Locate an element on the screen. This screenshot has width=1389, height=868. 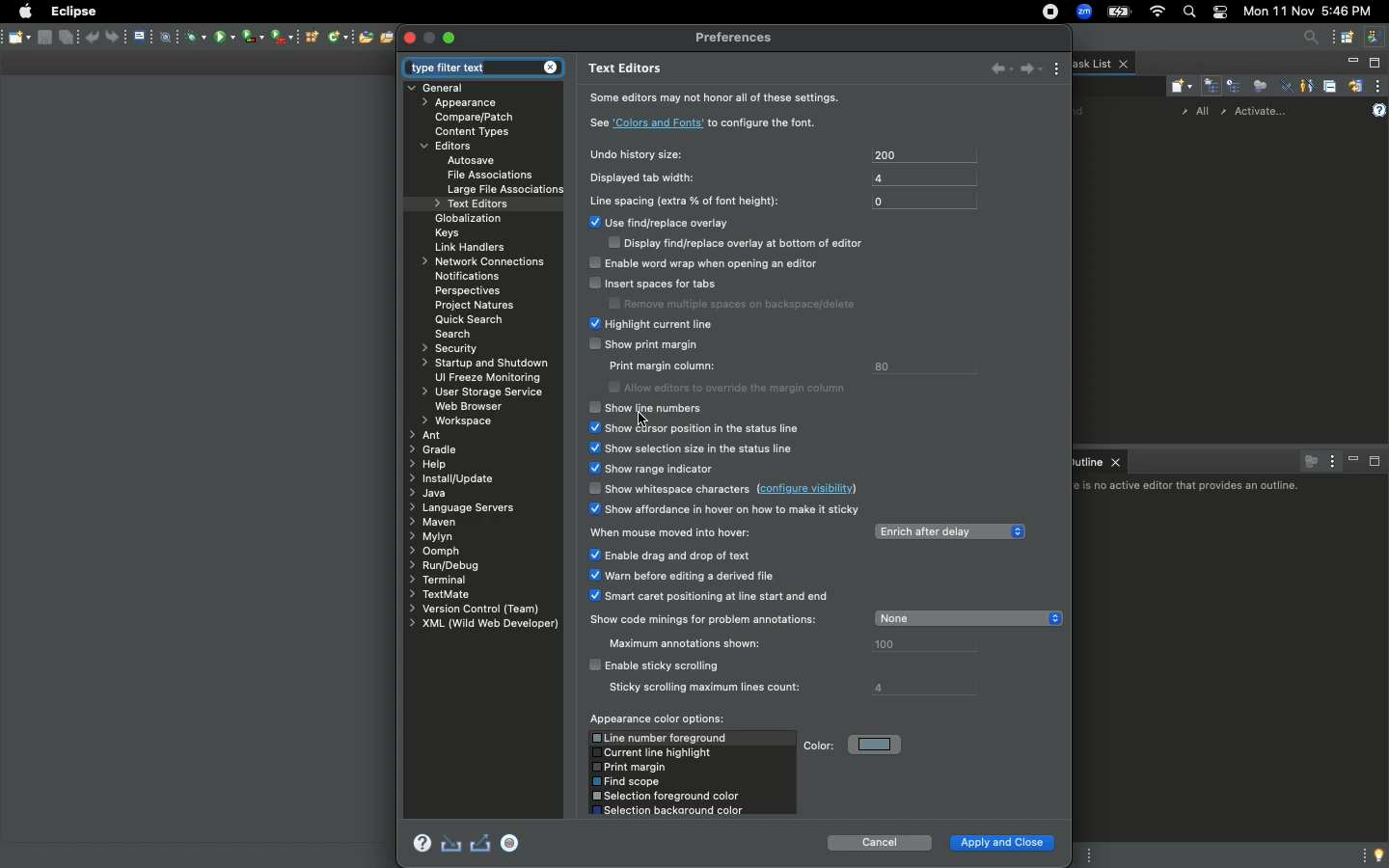
Maximize  is located at coordinates (1375, 64).